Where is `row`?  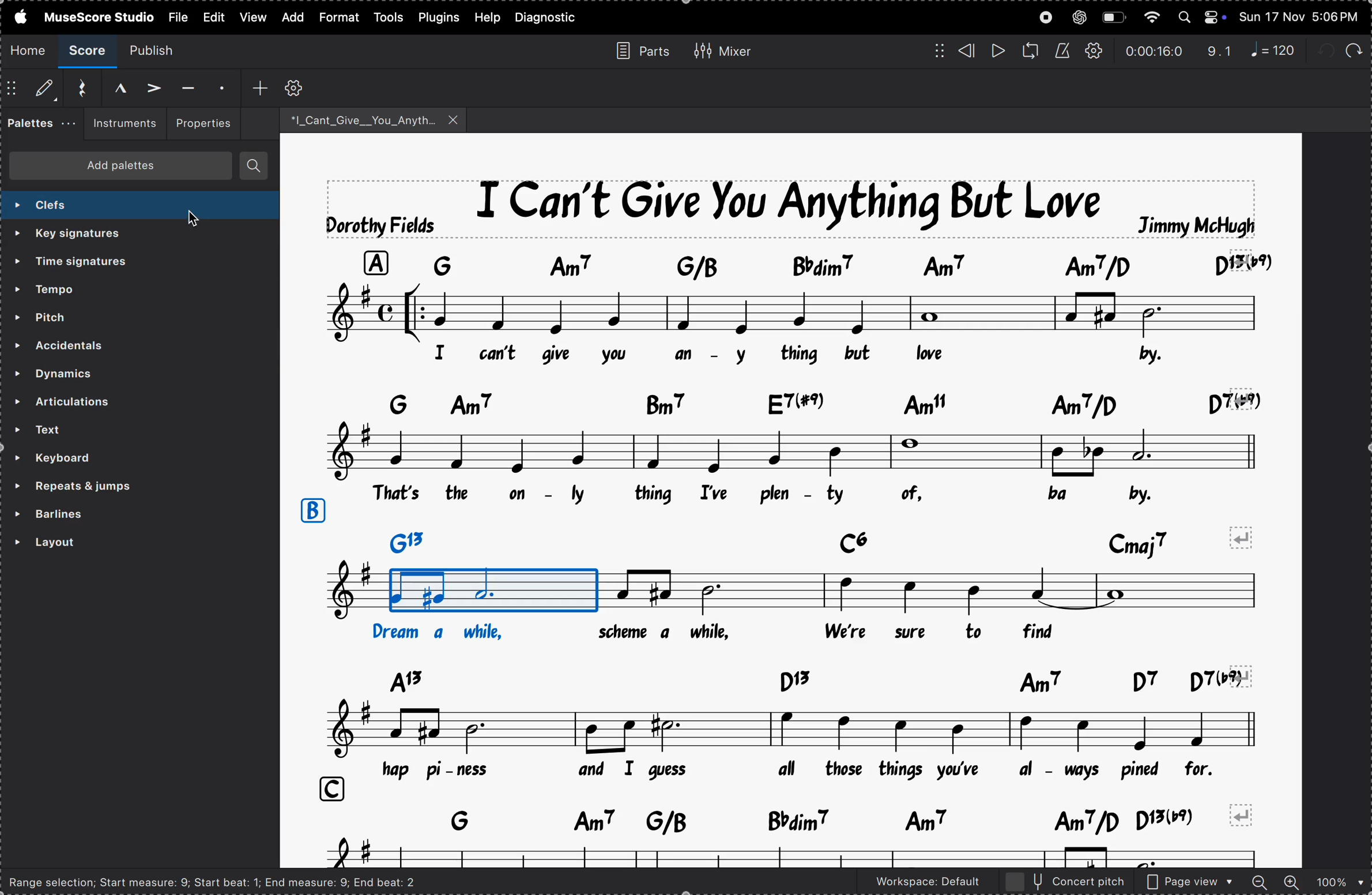 row is located at coordinates (327, 789).